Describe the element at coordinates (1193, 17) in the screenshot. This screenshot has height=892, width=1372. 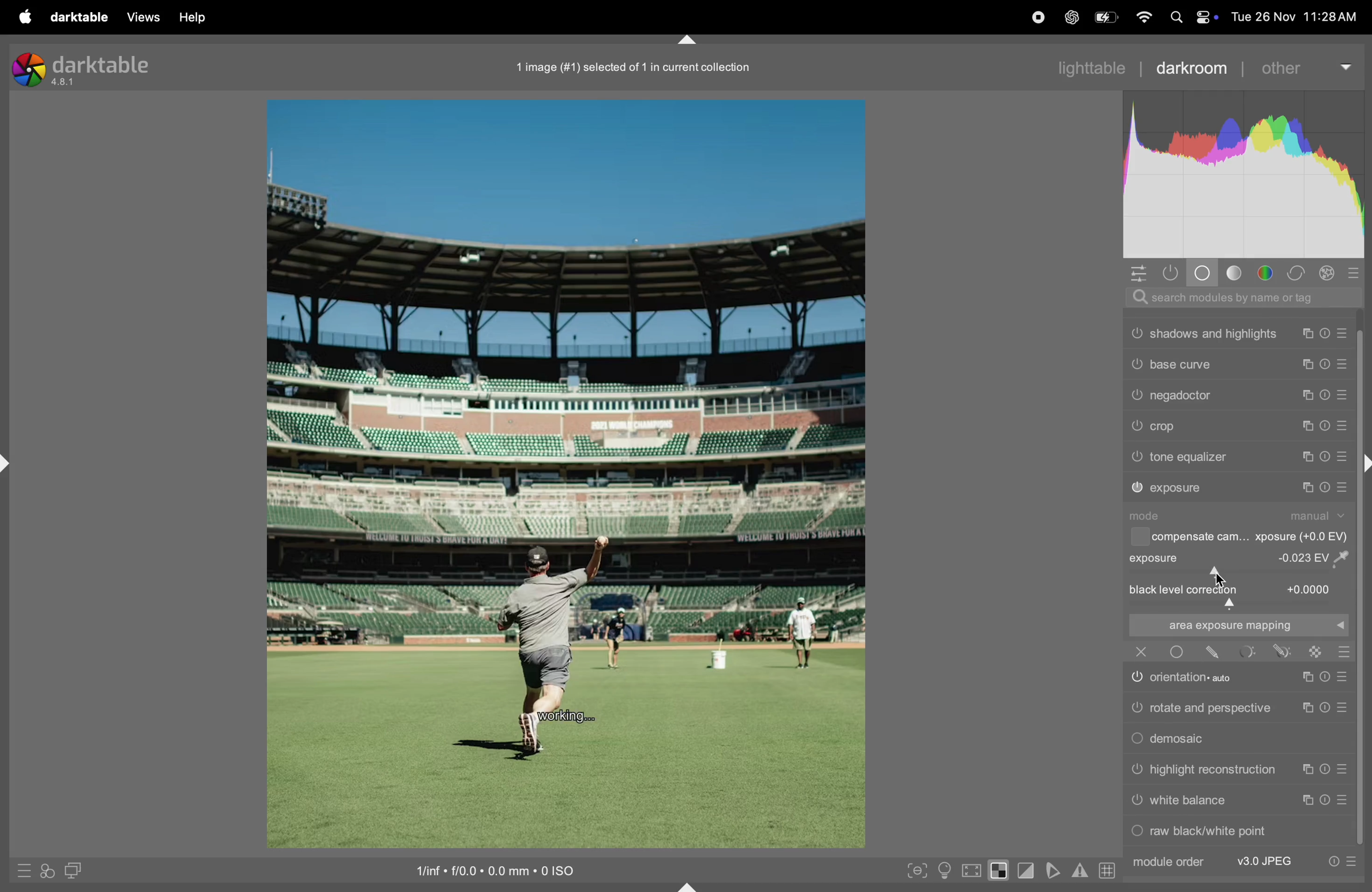
I see `apple widgets` at that location.